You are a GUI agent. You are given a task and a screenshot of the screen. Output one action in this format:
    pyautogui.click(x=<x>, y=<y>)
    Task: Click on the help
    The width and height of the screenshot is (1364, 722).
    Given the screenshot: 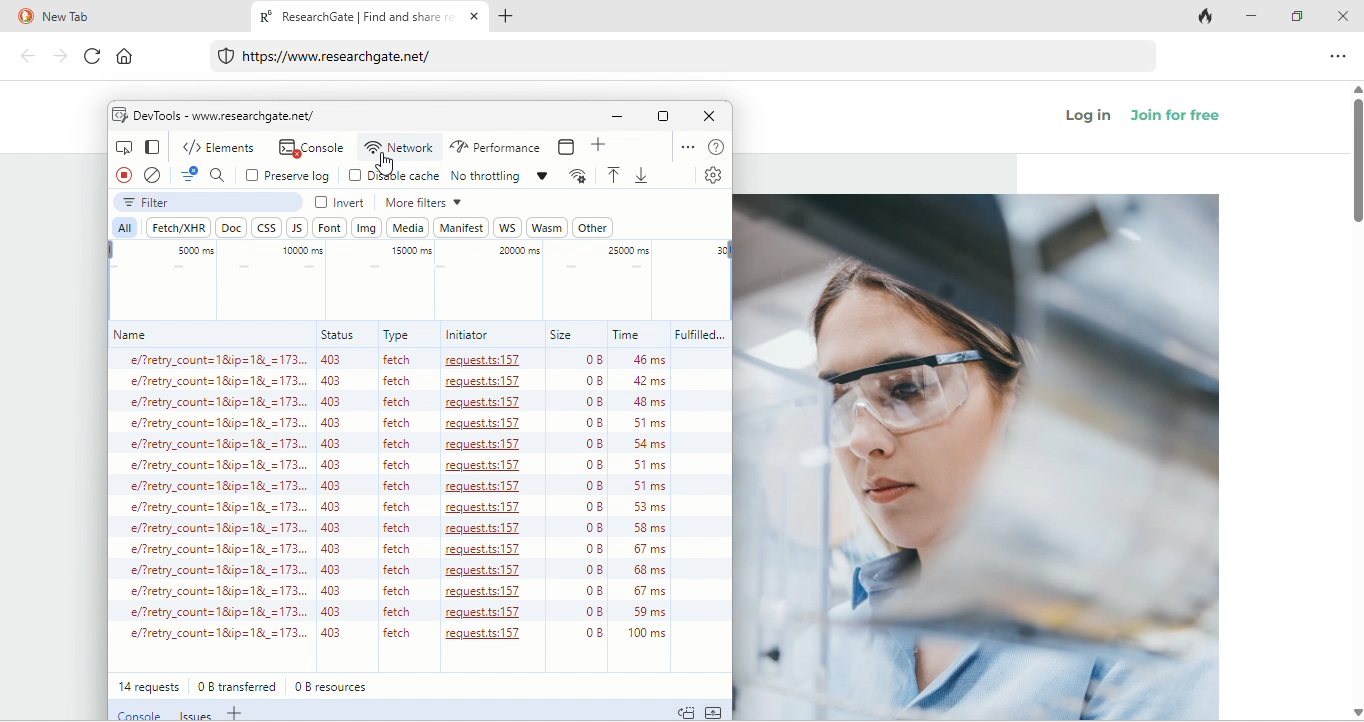 What is the action you would take?
    pyautogui.click(x=716, y=147)
    